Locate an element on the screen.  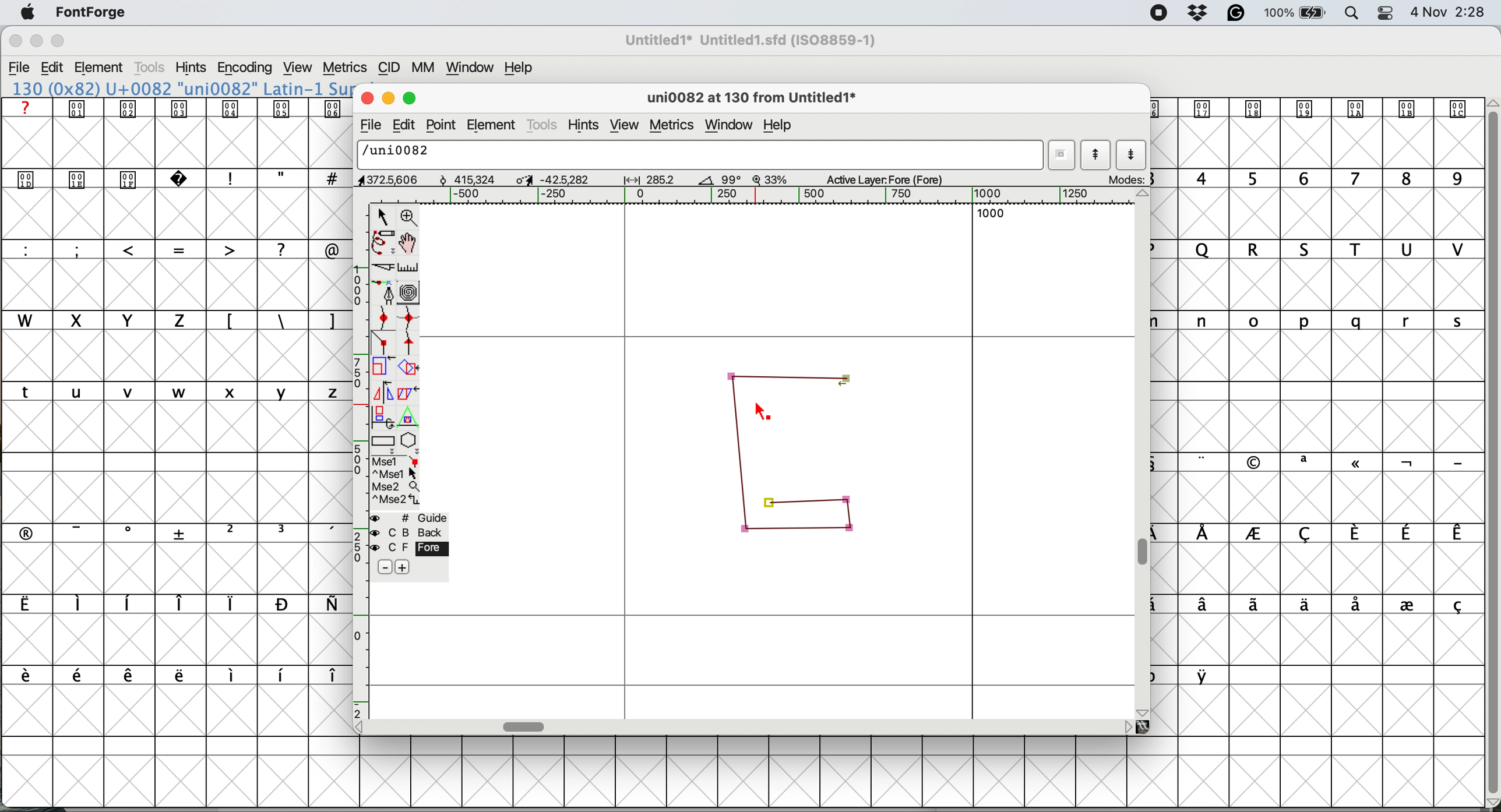
help is located at coordinates (781, 127).